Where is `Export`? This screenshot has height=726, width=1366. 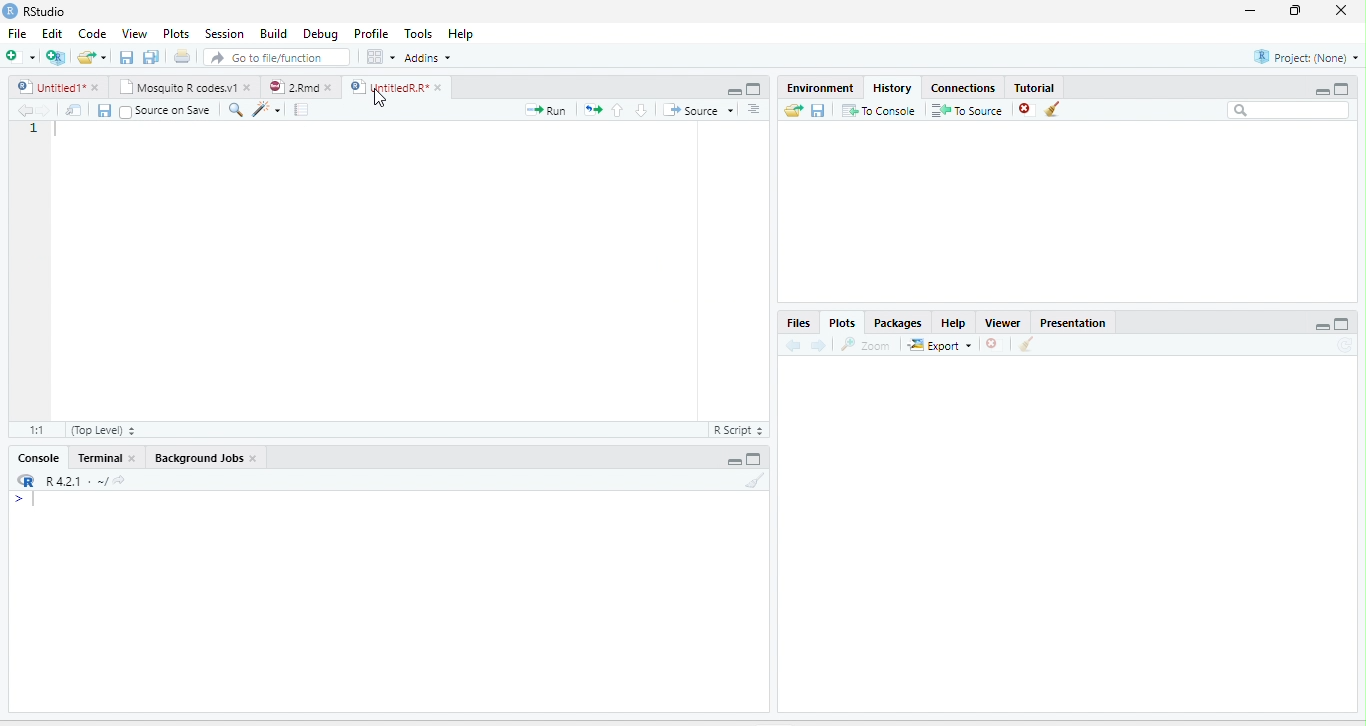 Export is located at coordinates (940, 345).